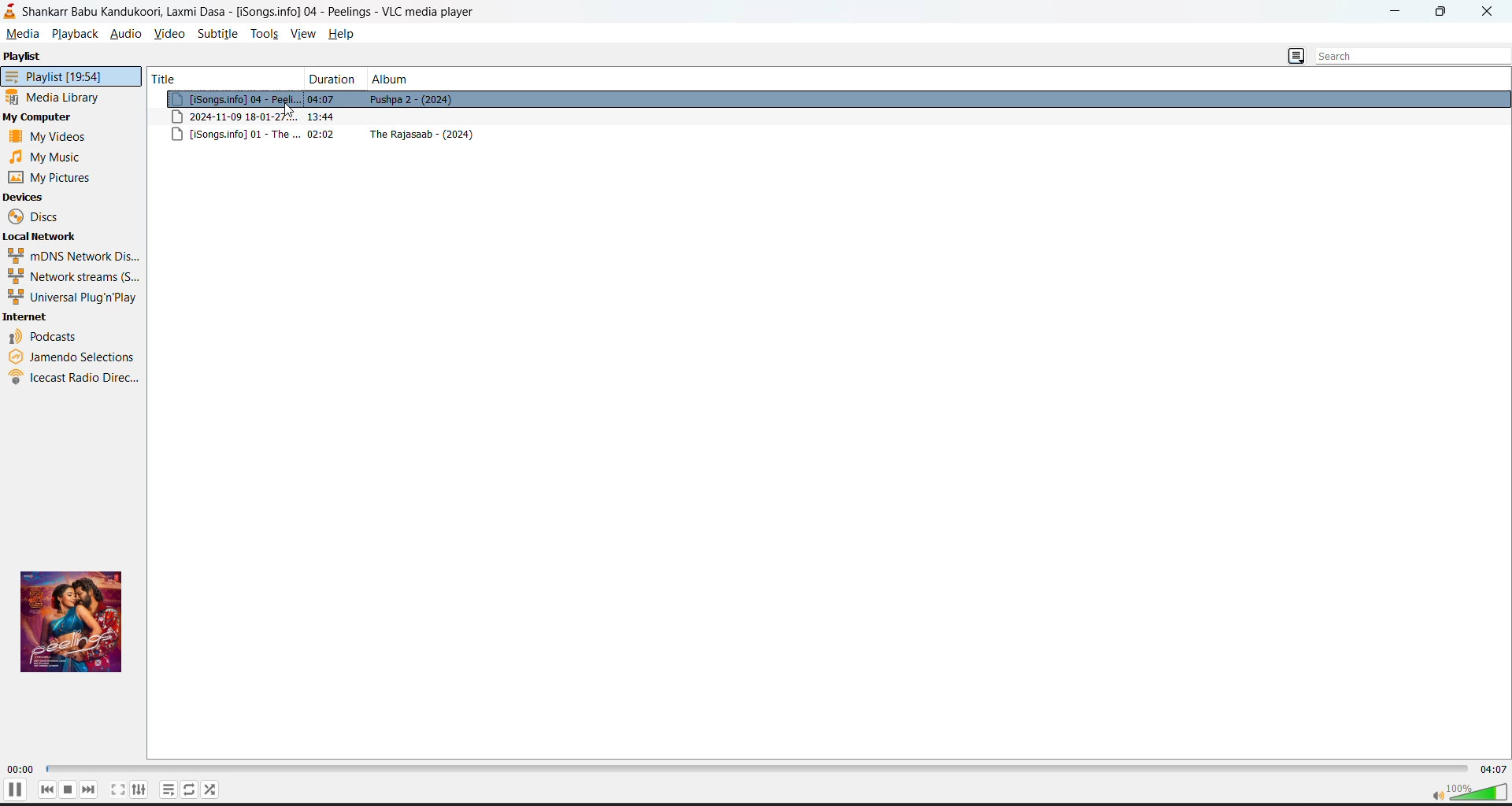 The width and height of the screenshot is (1512, 806). Describe the element at coordinates (13, 13) in the screenshot. I see `vlc logo` at that location.